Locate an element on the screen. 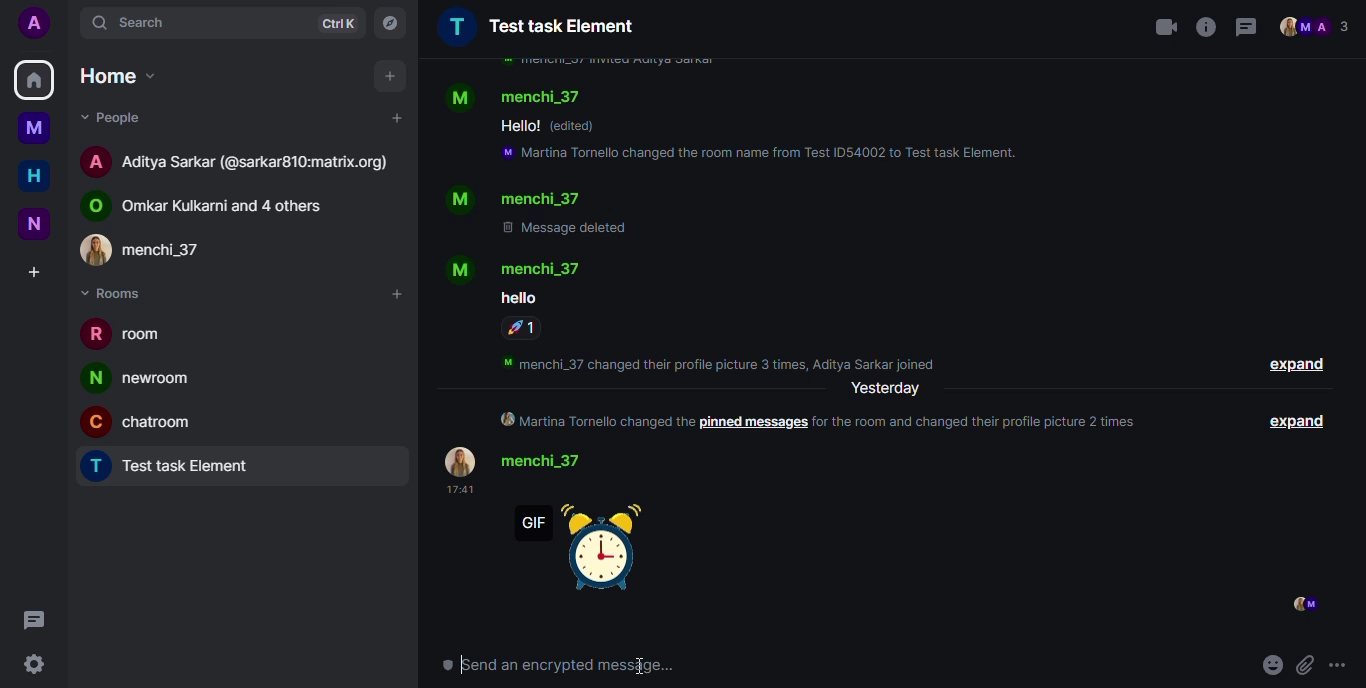 The height and width of the screenshot is (688, 1366). reaction is located at coordinates (523, 328).